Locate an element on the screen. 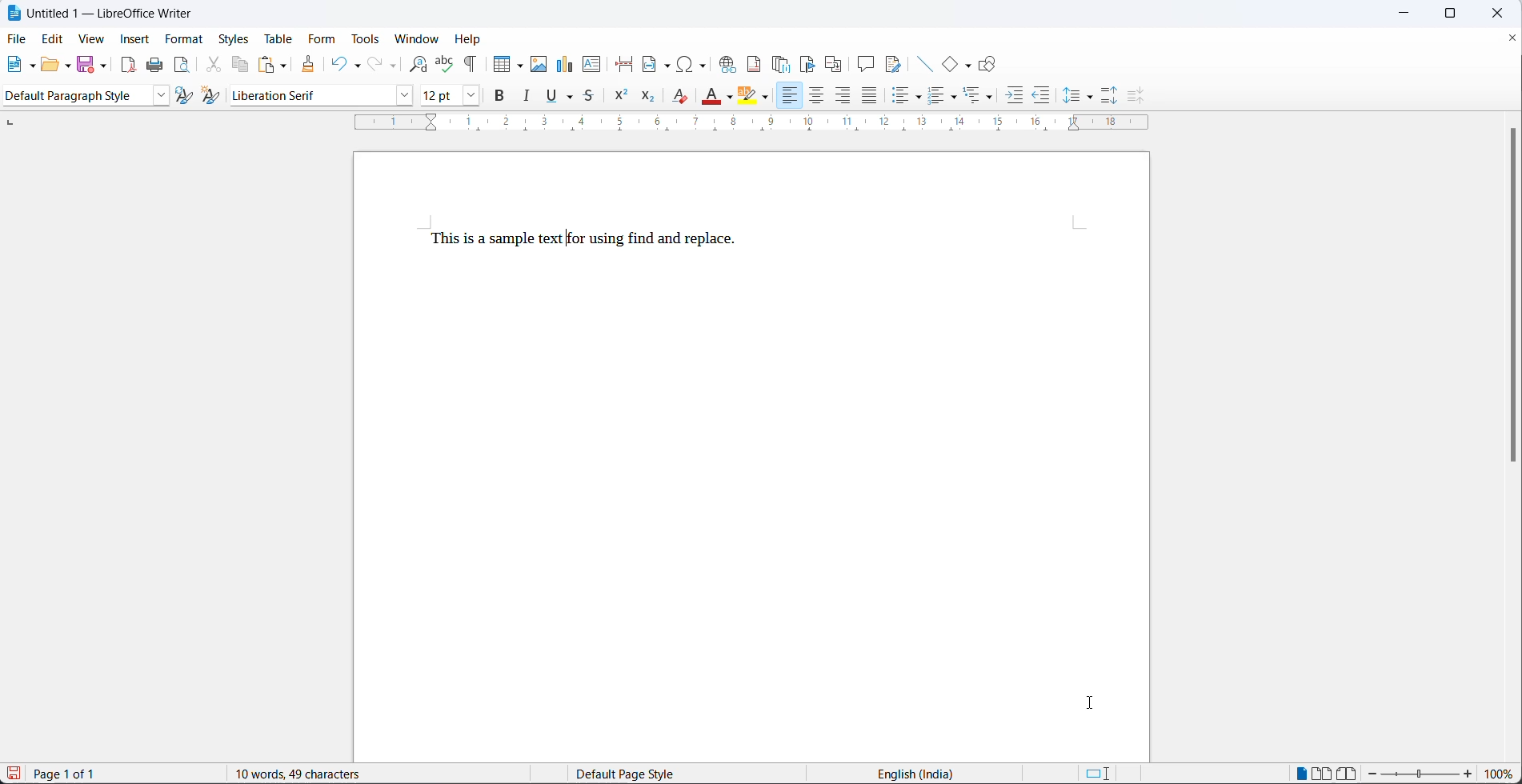 The height and width of the screenshot is (784, 1522). Page 1 of 1 is located at coordinates (70, 774).